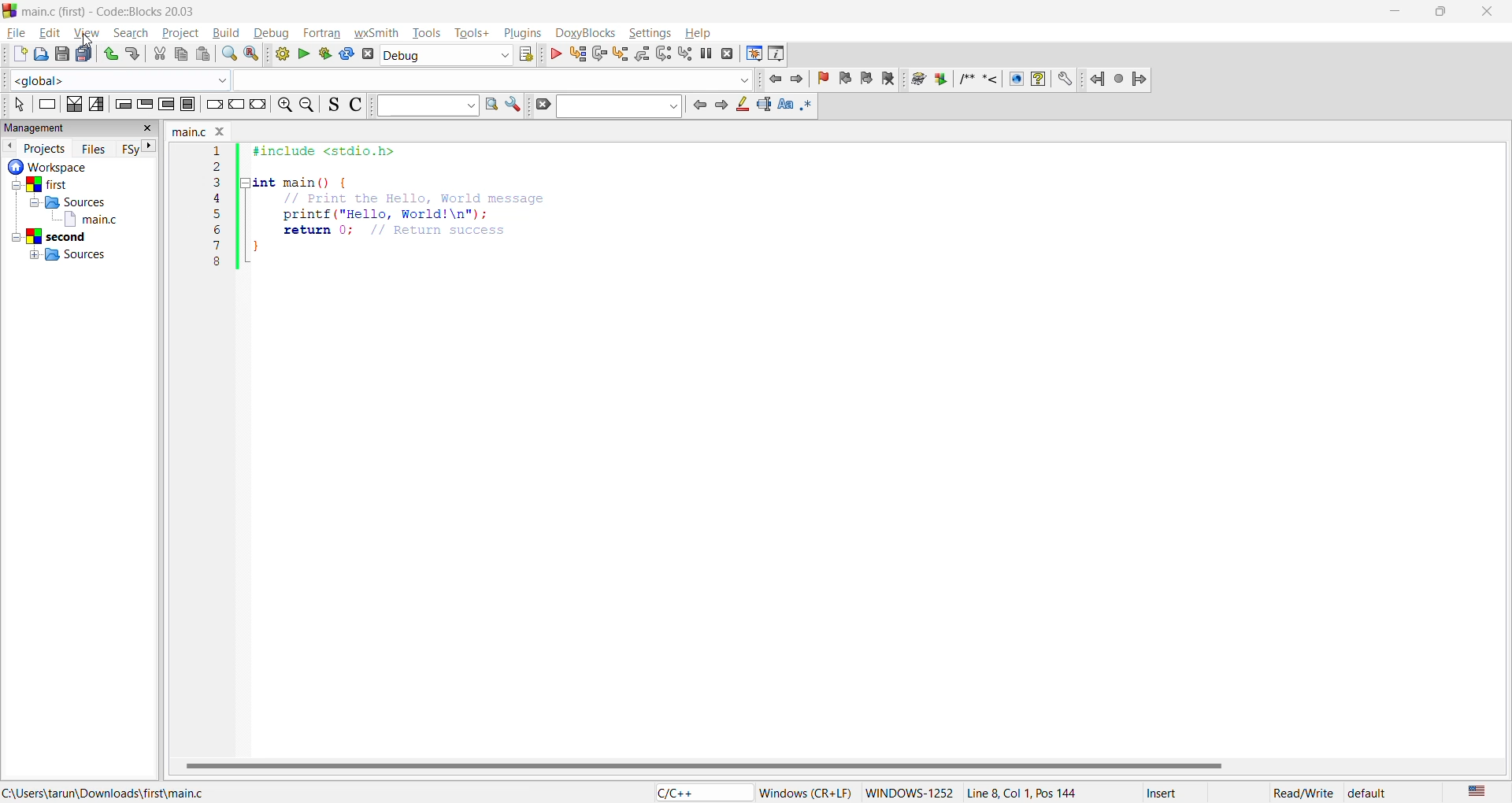 This screenshot has height=803, width=1512. What do you see at coordinates (764, 107) in the screenshot?
I see `selected text` at bounding box center [764, 107].